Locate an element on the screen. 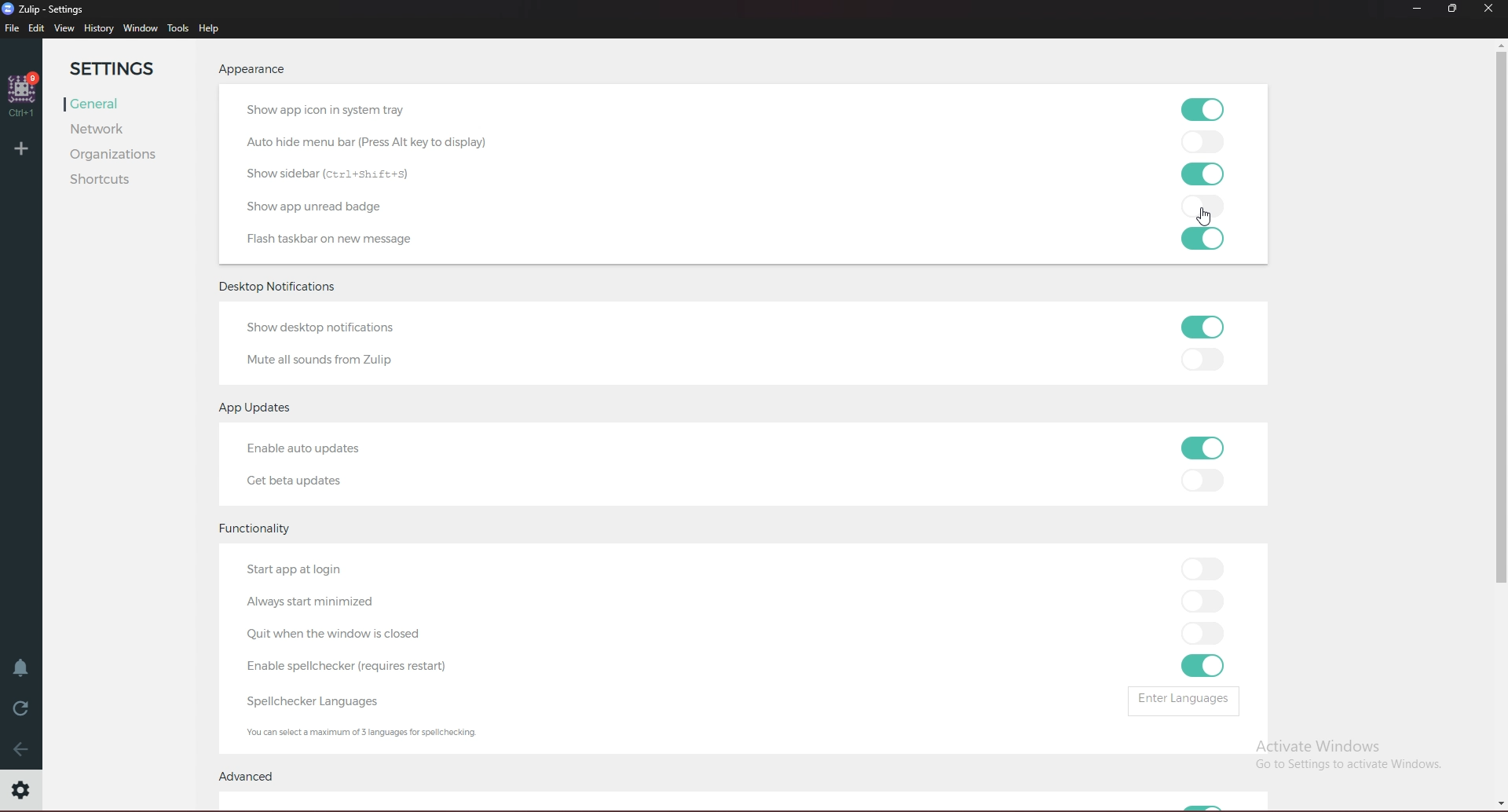 The width and height of the screenshot is (1508, 812). Appearance is located at coordinates (250, 71).